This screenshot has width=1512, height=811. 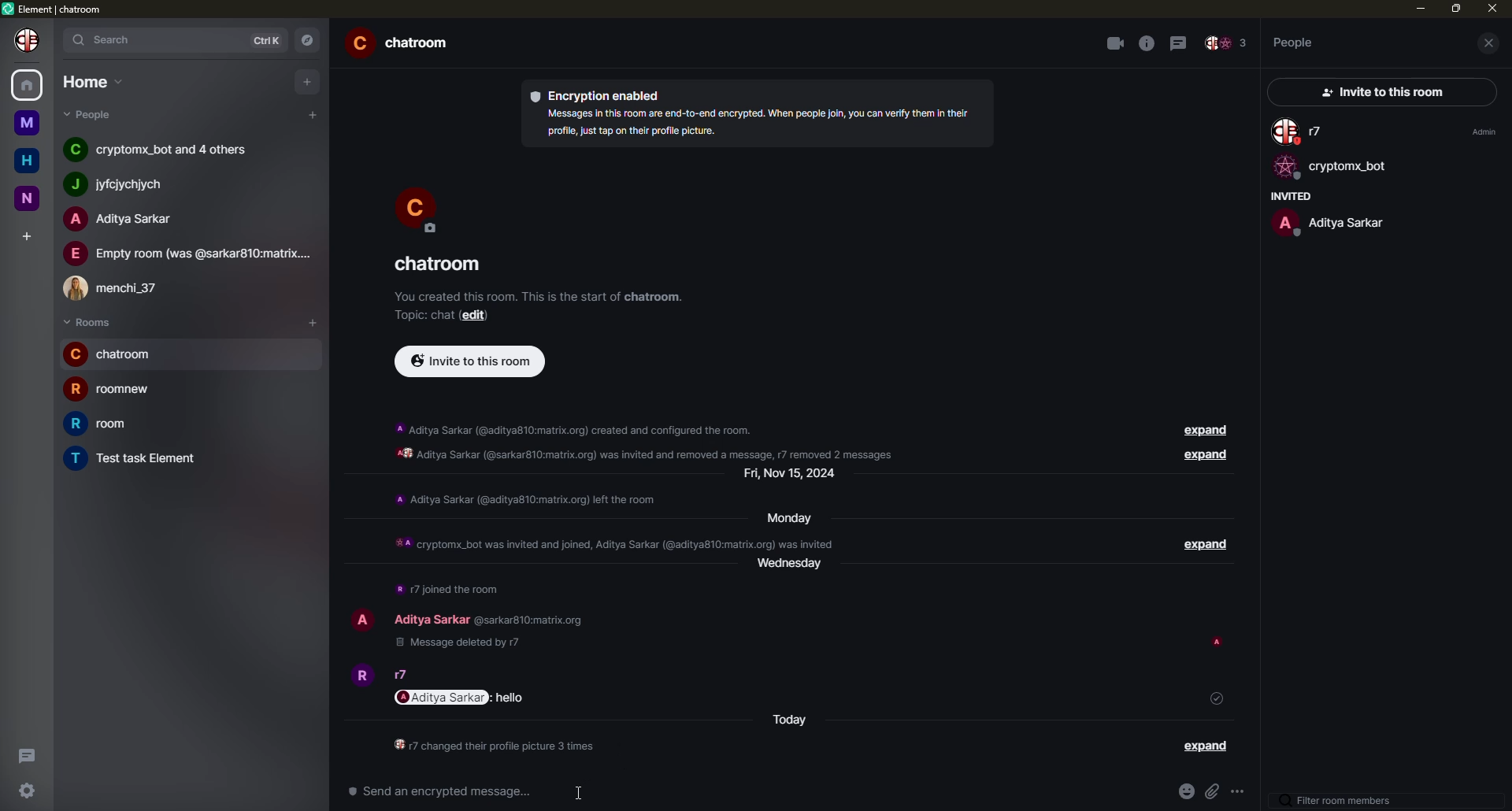 I want to click on room, so click(x=115, y=354).